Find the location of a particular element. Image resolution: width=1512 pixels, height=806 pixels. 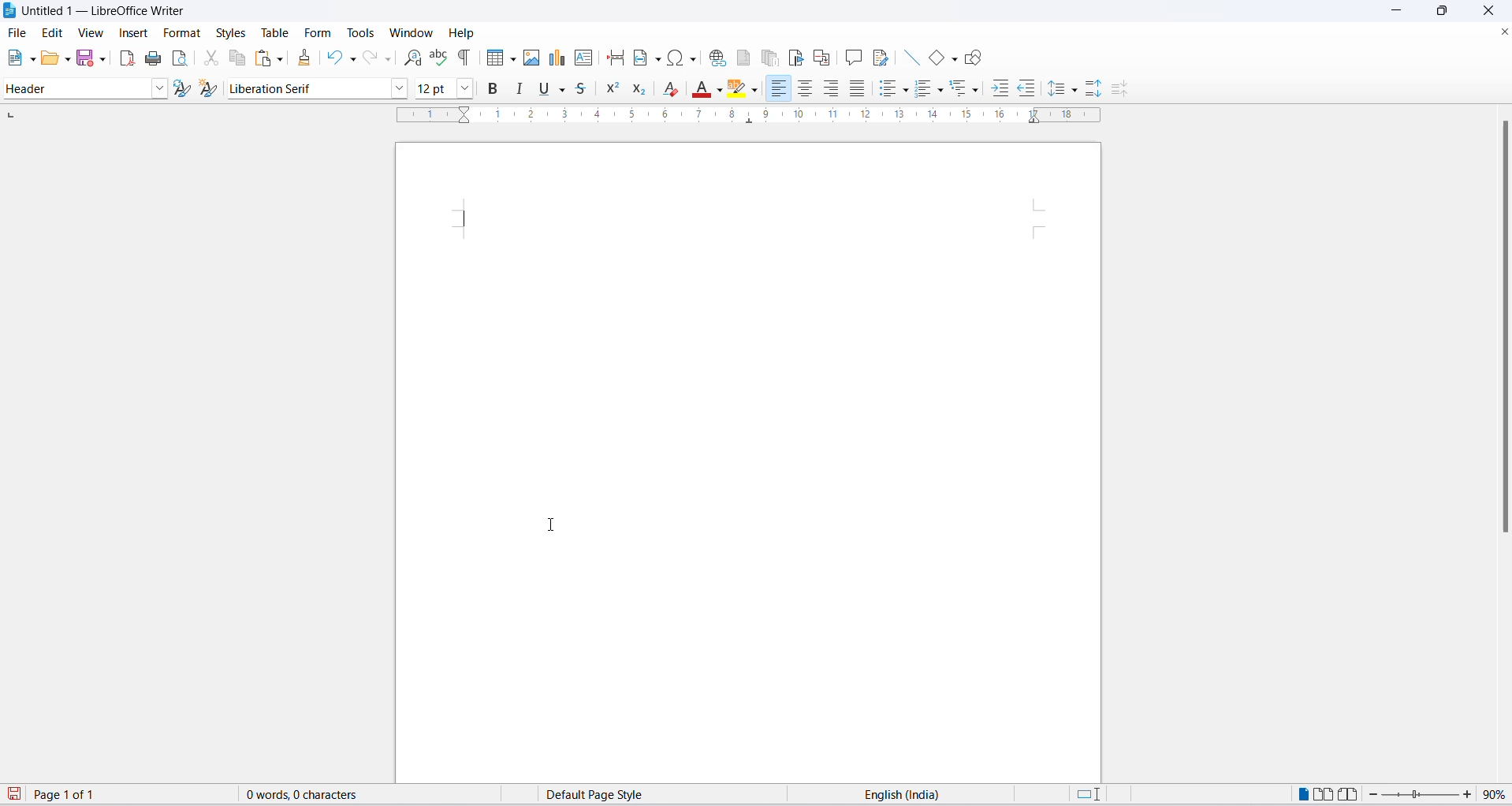

scrollbar is located at coordinates (1501, 330).